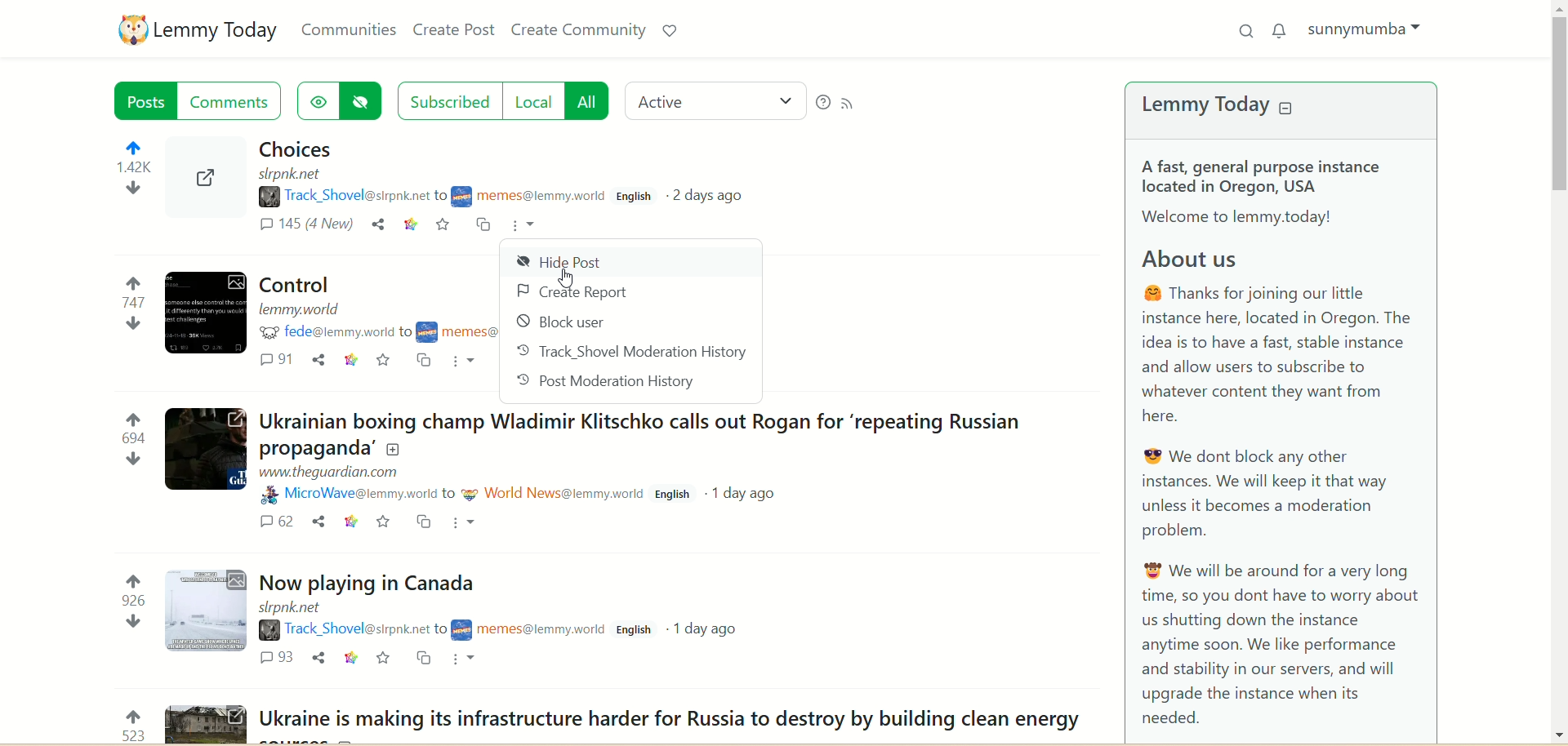 This screenshot has height=746, width=1568. What do you see at coordinates (348, 521) in the screenshot?
I see `link` at bounding box center [348, 521].